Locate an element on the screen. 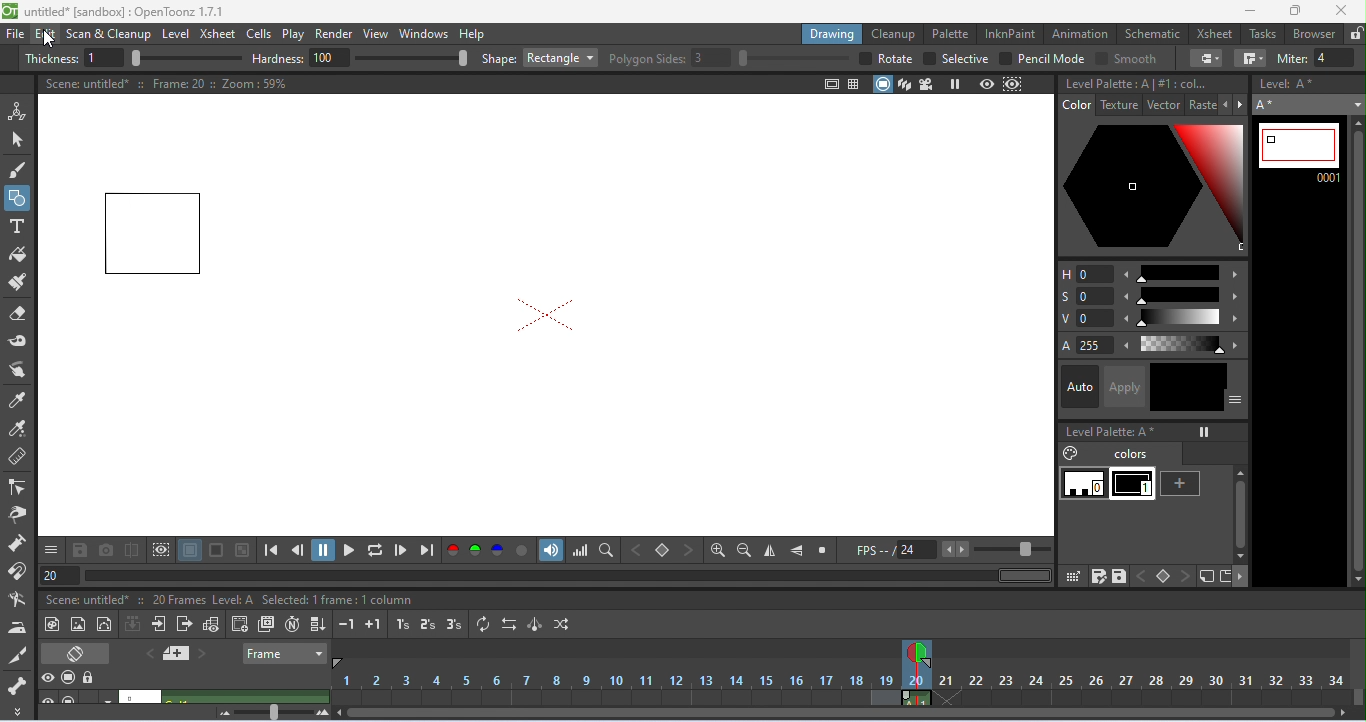  zoom factor is located at coordinates (271, 713).